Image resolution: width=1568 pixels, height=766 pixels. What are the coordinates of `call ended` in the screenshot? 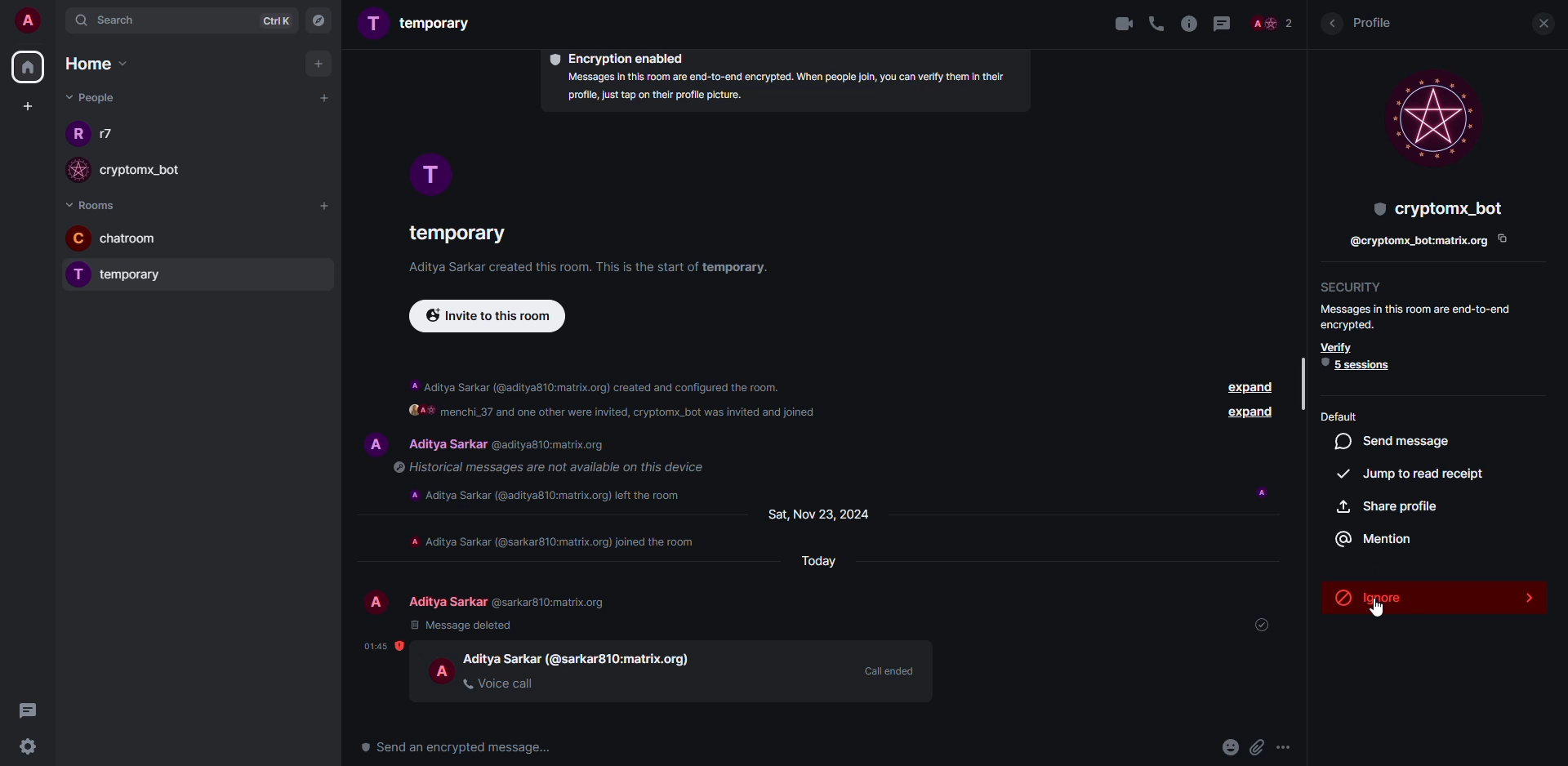 It's located at (888, 670).